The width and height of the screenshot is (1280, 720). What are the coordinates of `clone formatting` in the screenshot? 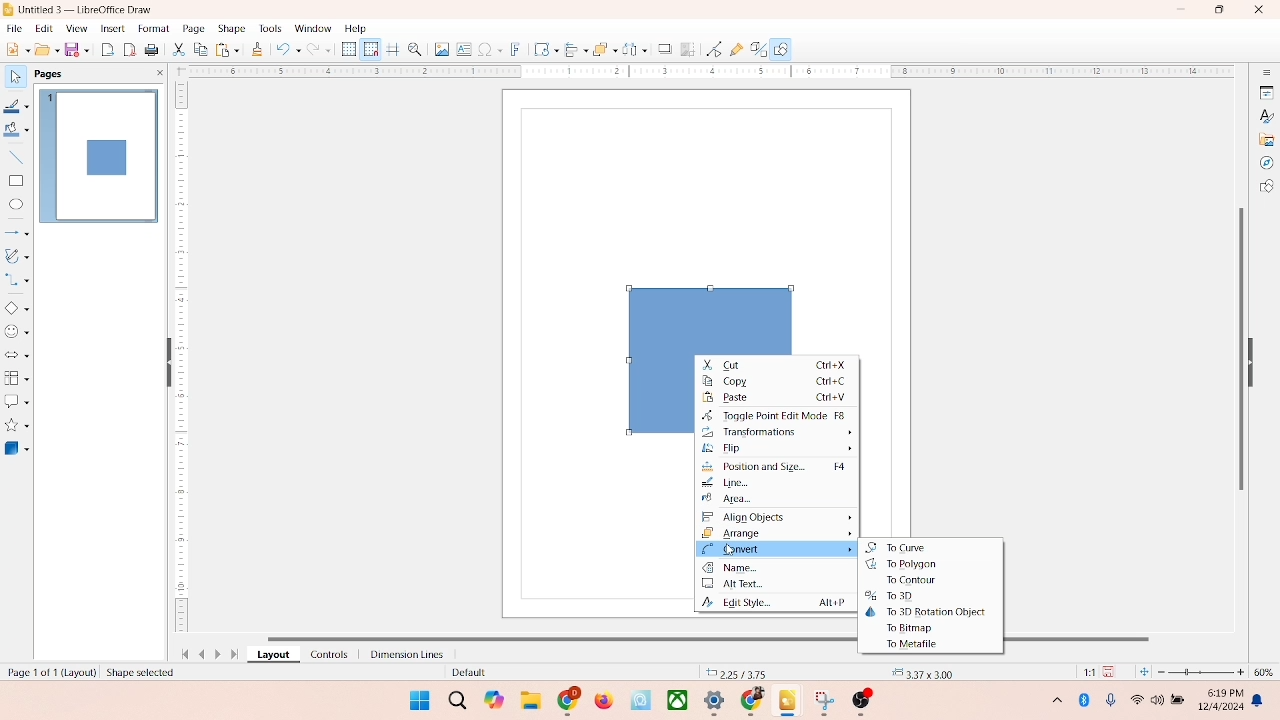 It's located at (256, 49).